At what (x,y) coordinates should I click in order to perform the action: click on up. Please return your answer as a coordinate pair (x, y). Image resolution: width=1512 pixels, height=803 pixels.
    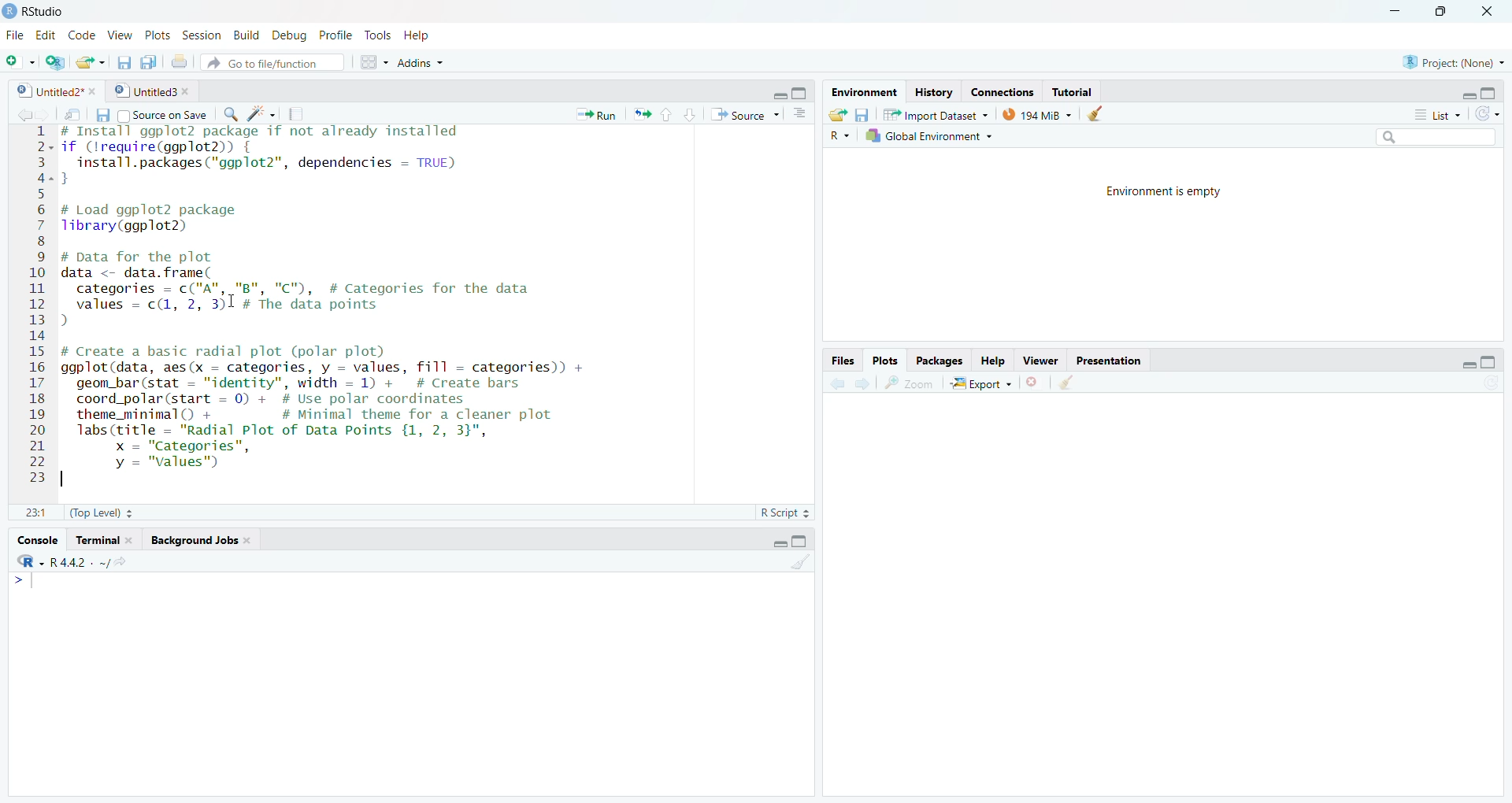
    Looking at the image, I should click on (666, 114).